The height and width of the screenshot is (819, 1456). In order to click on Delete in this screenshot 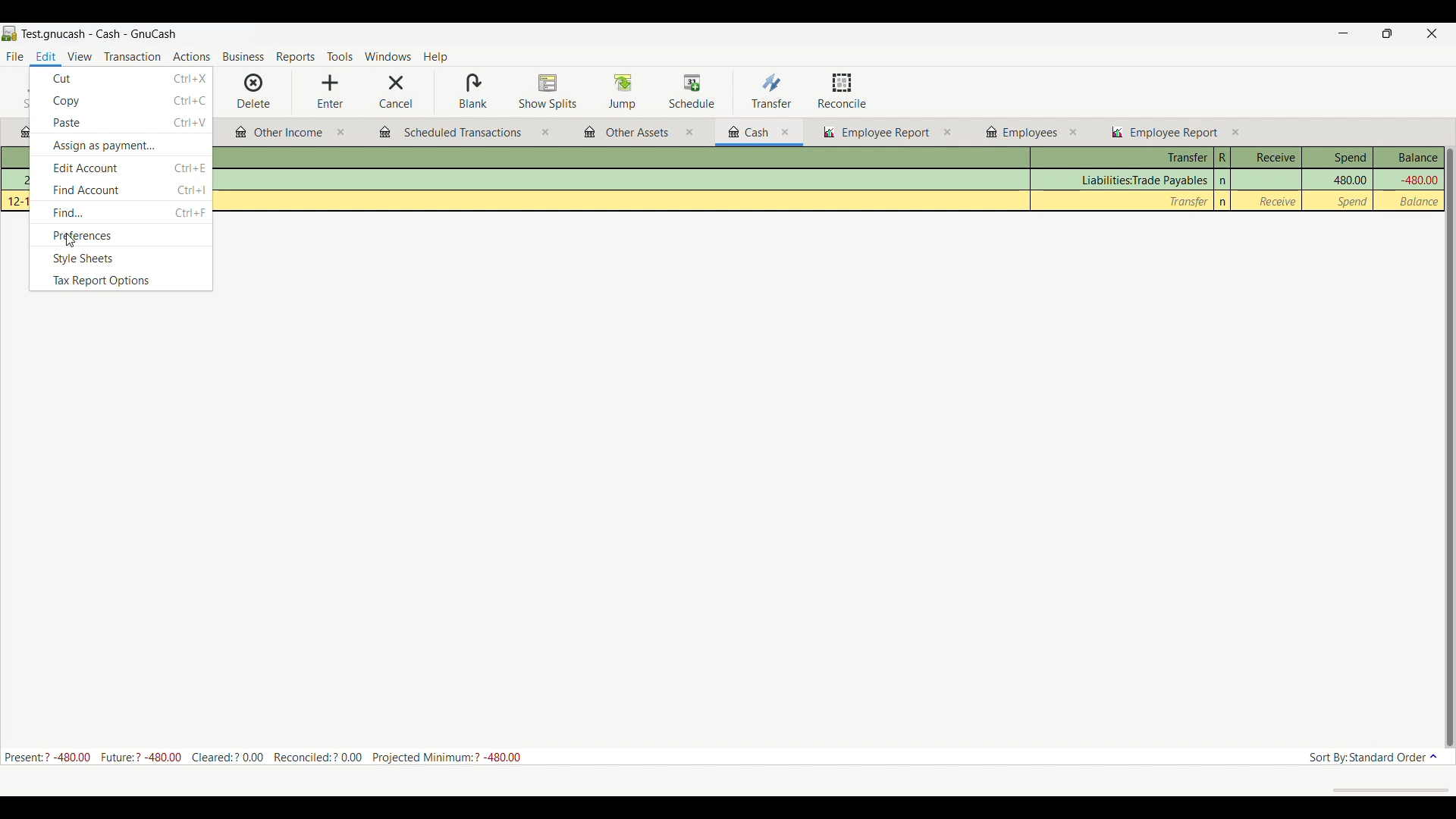, I will do `click(255, 91)`.